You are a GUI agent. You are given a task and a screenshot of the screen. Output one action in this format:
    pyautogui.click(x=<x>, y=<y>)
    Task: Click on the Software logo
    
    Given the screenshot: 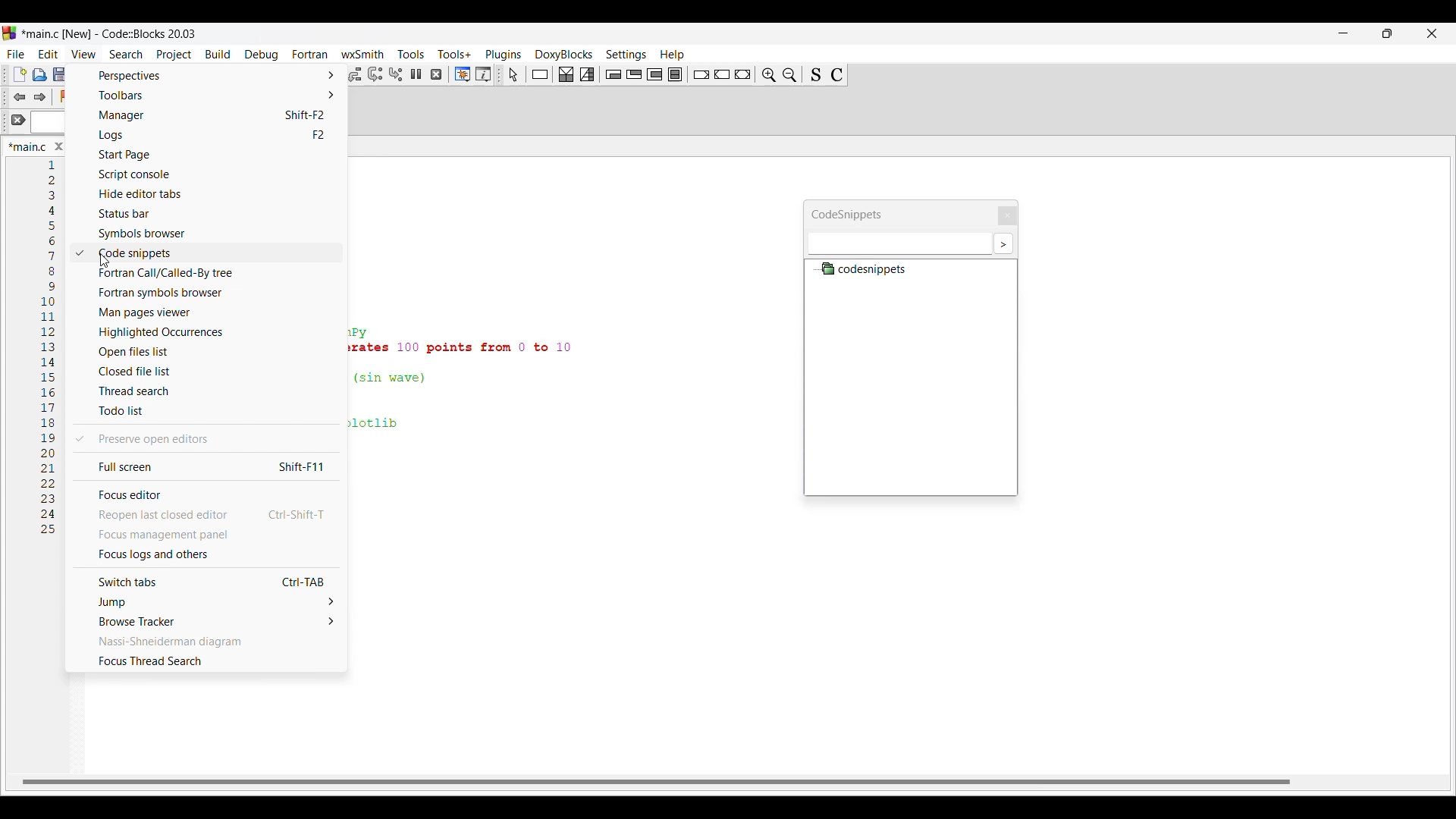 What is the action you would take?
    pyautogui.click(x=9, y=33)
    